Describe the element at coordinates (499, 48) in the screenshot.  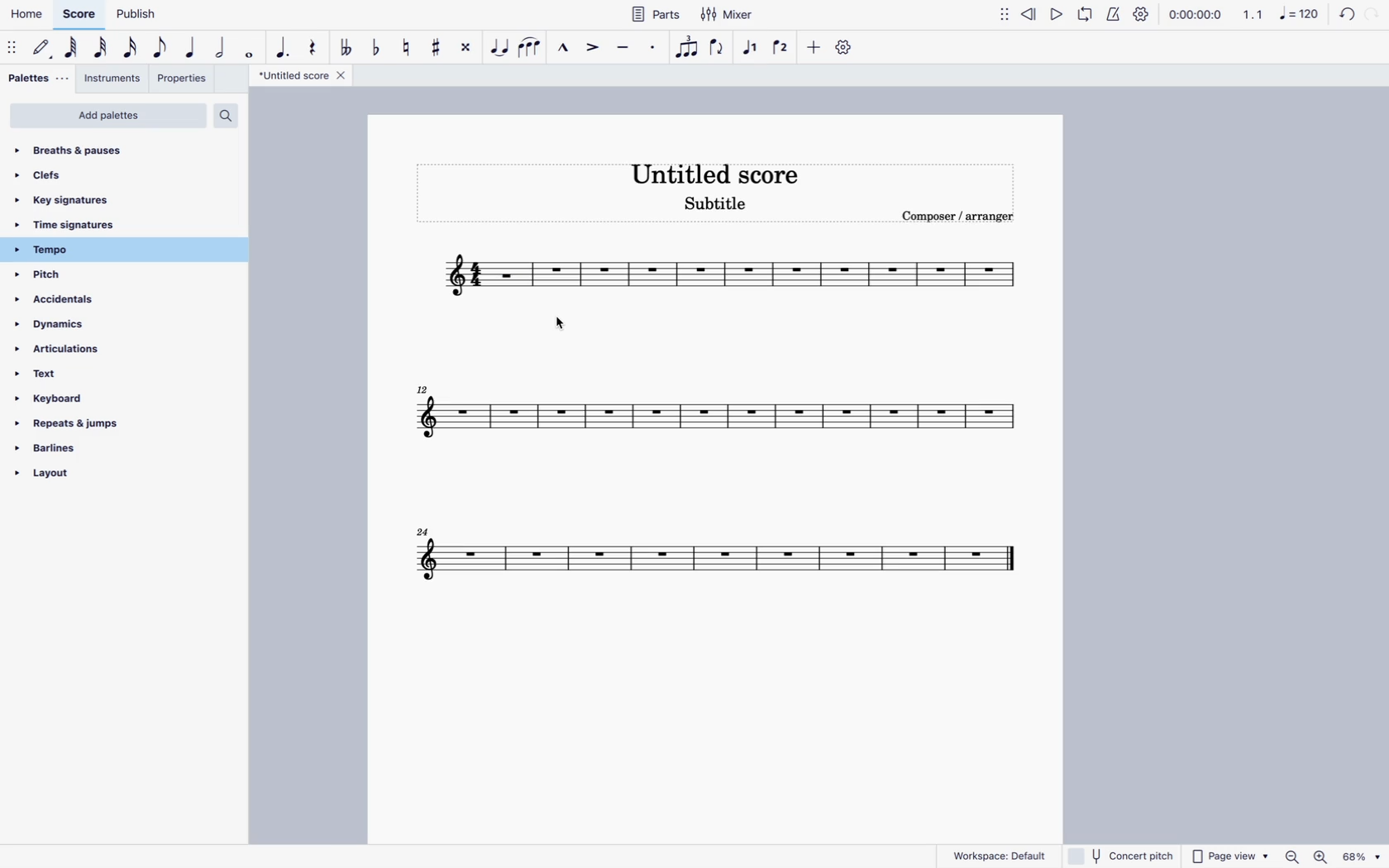
I see `tie` at that location.